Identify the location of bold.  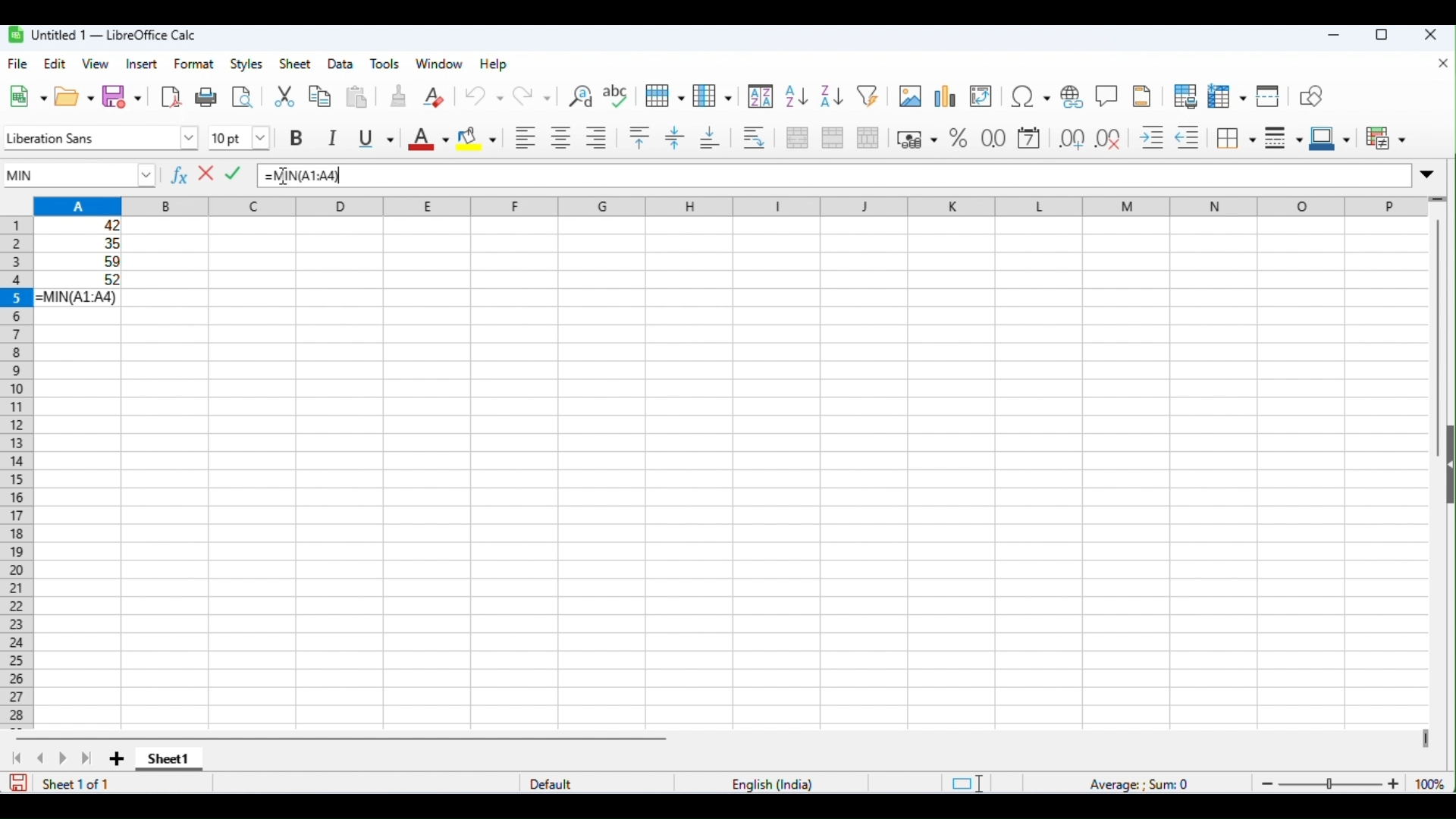
(300, 138).